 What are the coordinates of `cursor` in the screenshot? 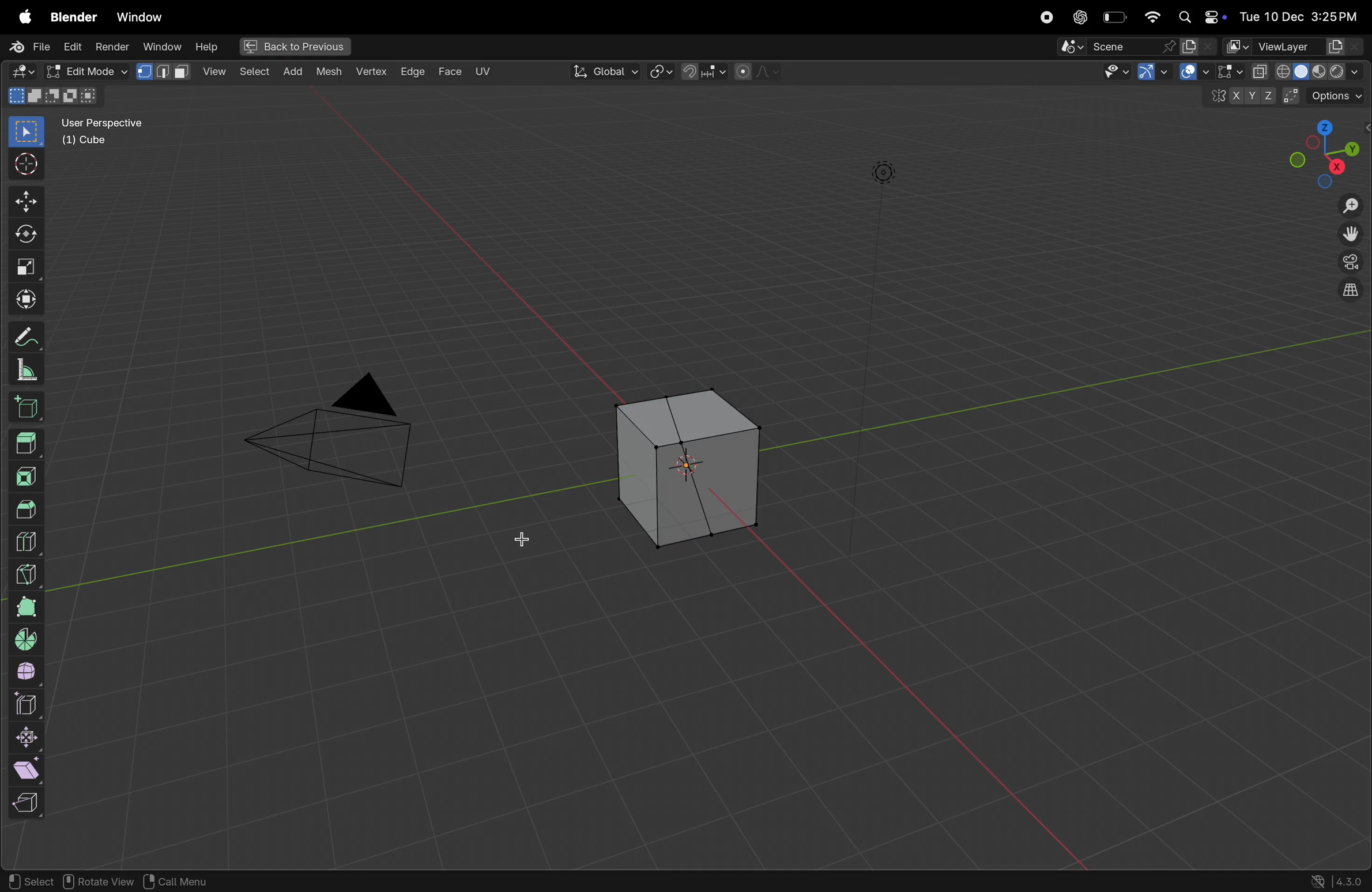 It's located at (525, 541).